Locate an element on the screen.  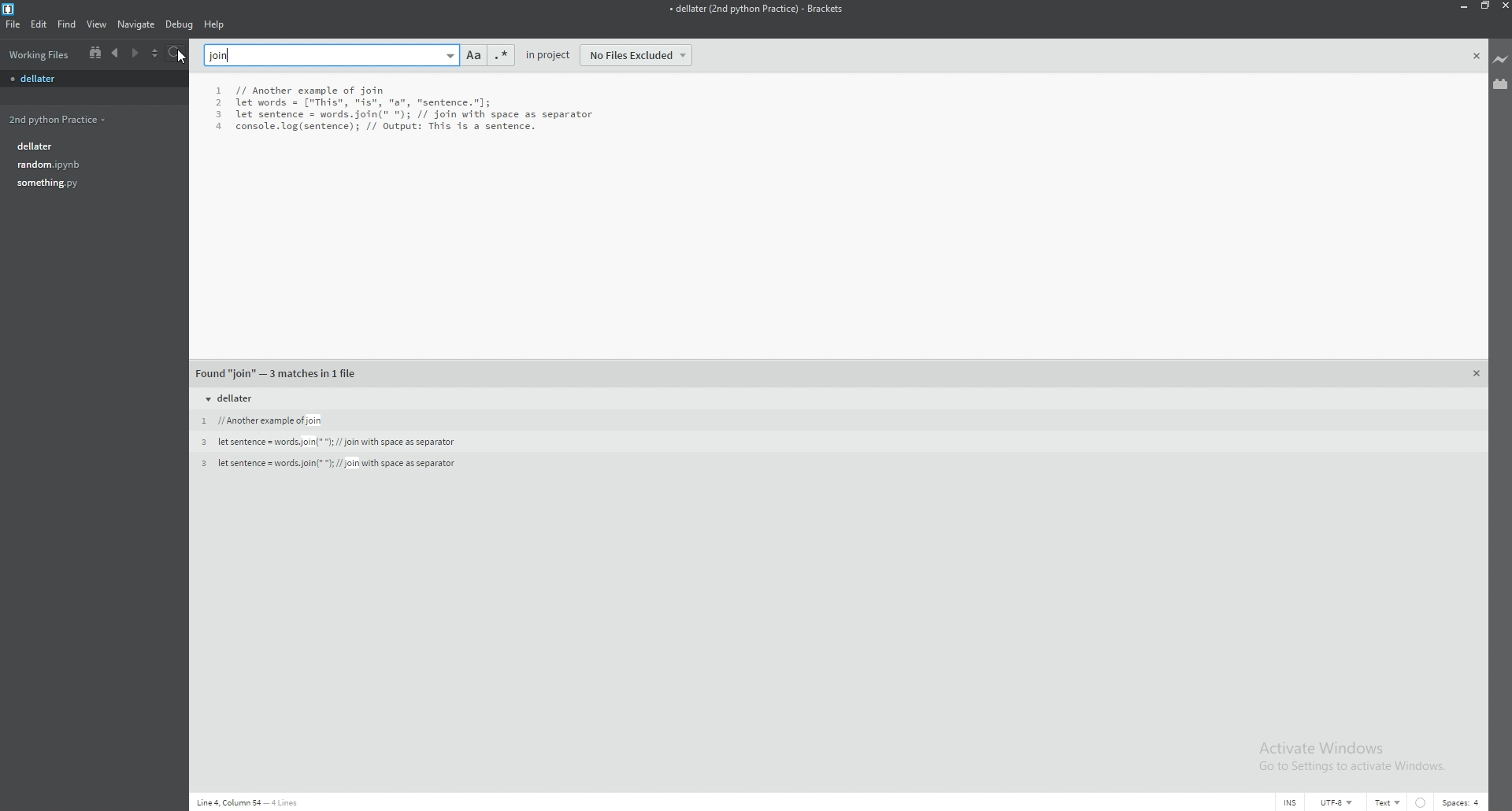
INS is located at coordinates (1290, 802).